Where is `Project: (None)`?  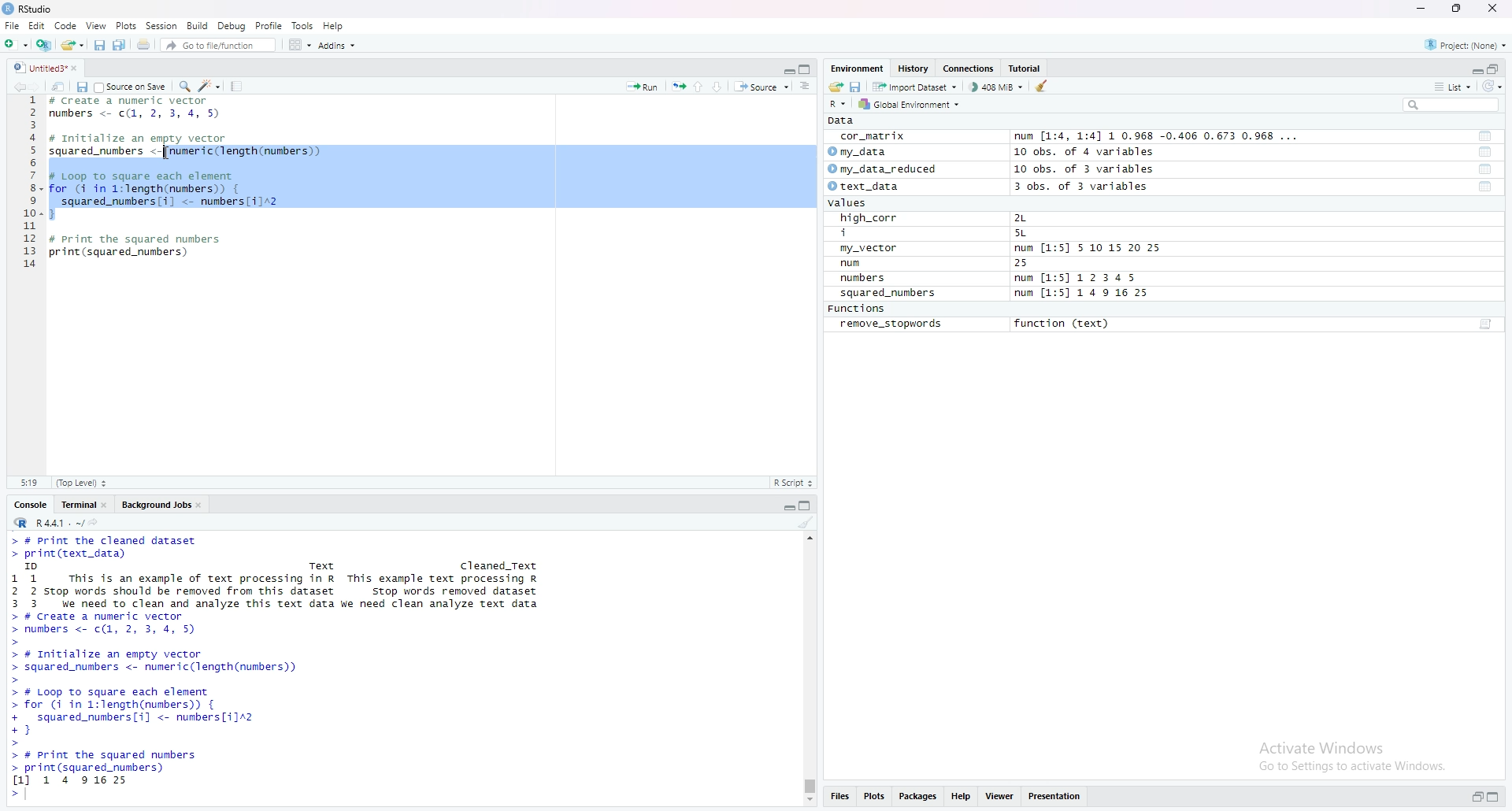 Project: (None) is located at coordinates (1467, 43).